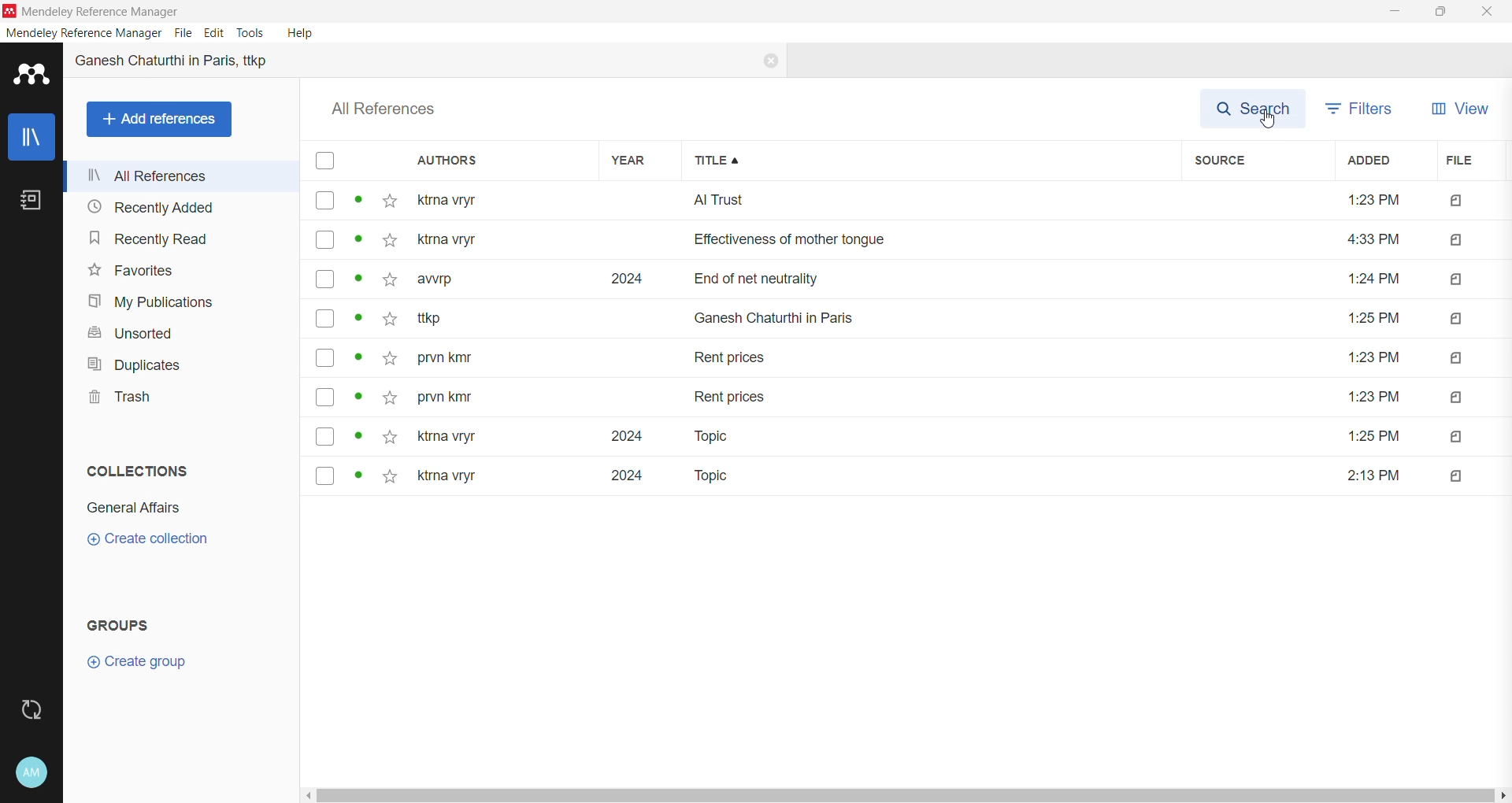 This screenshot has width=1512, height=803. I want to click on Filters, so click(1362, 109).